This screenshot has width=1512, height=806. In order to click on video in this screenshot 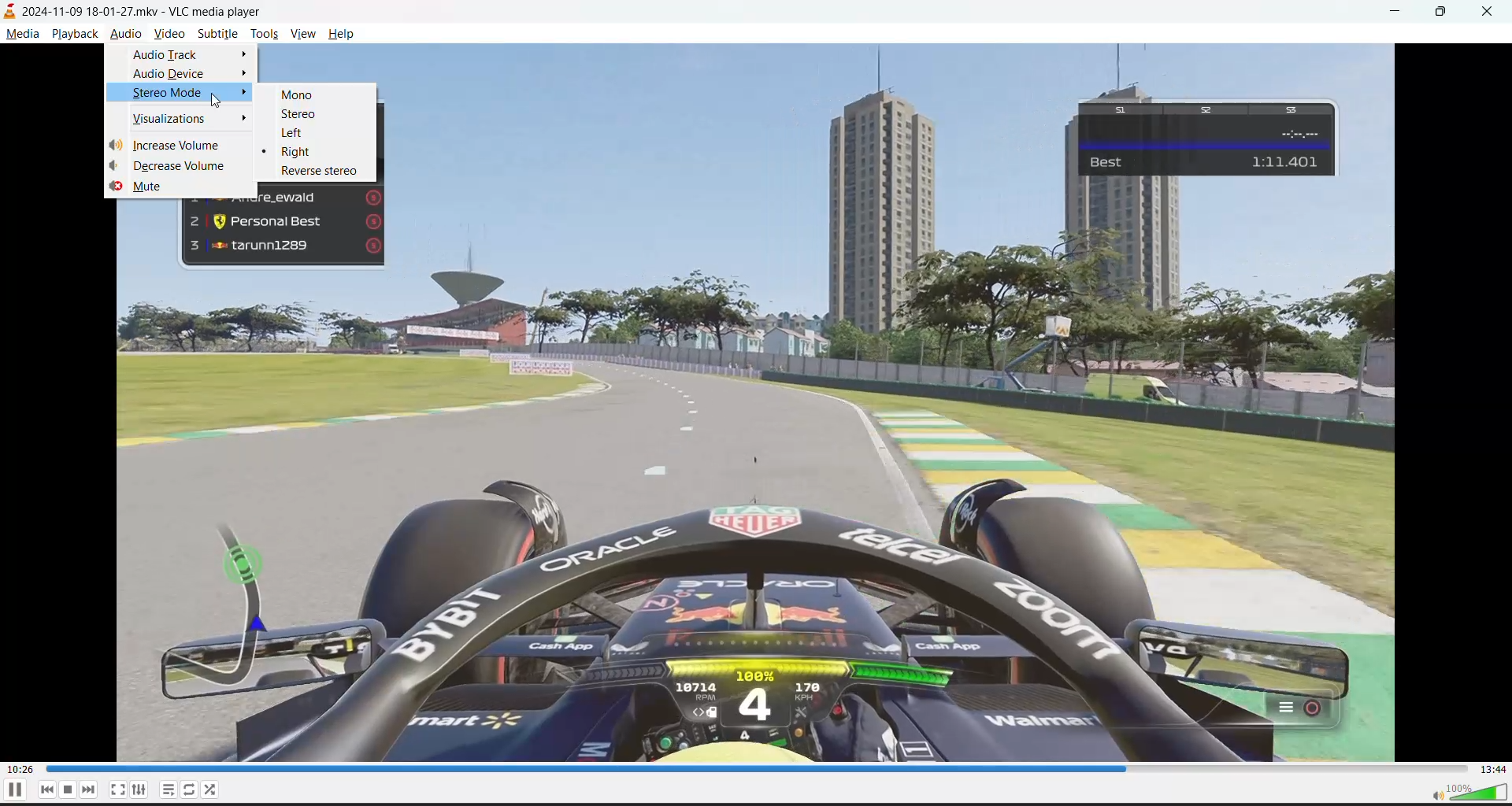, I will do `click(169, 35)`.